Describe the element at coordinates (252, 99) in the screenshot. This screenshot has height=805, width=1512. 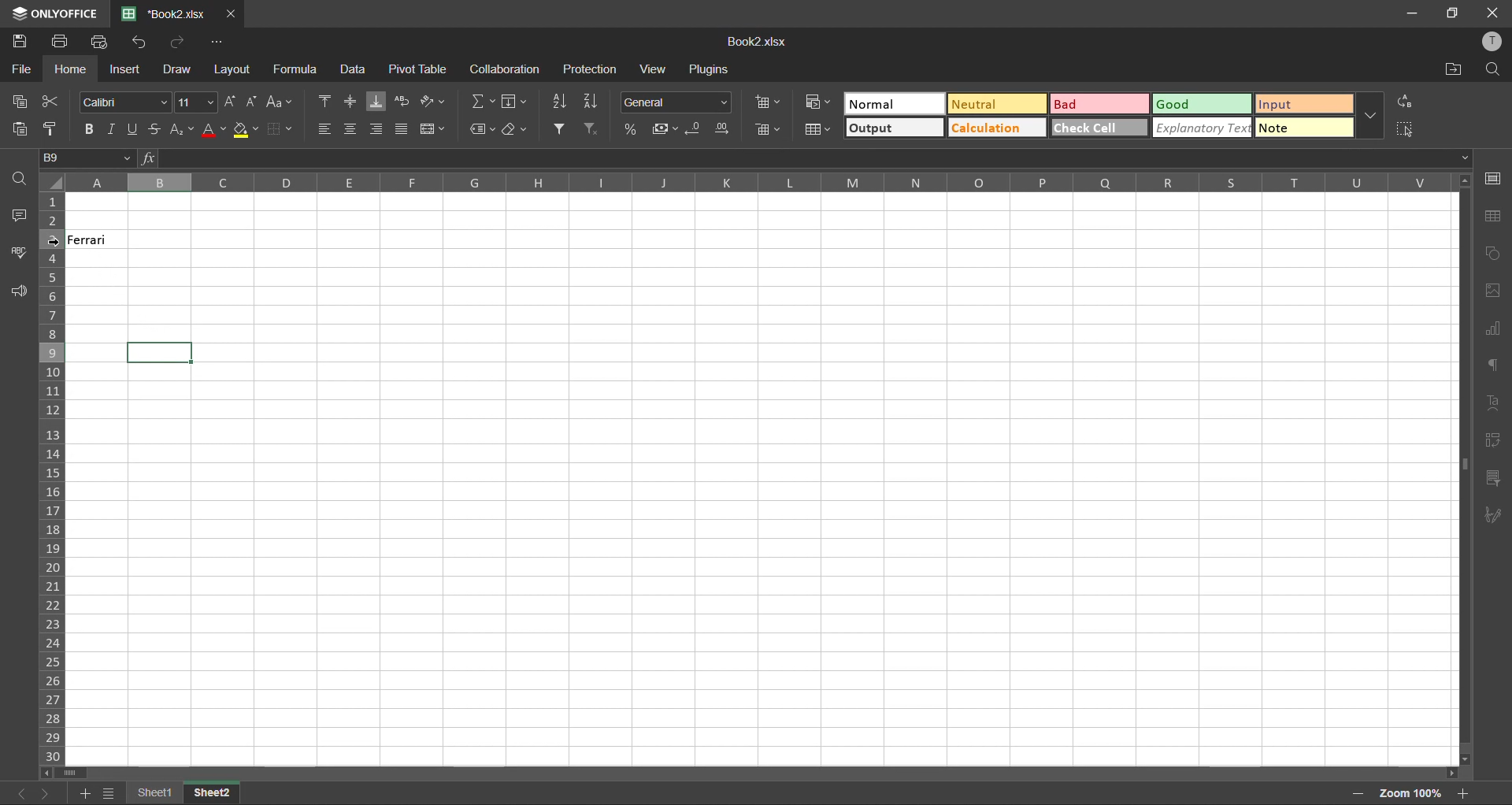
I see `decrement size` at that location.